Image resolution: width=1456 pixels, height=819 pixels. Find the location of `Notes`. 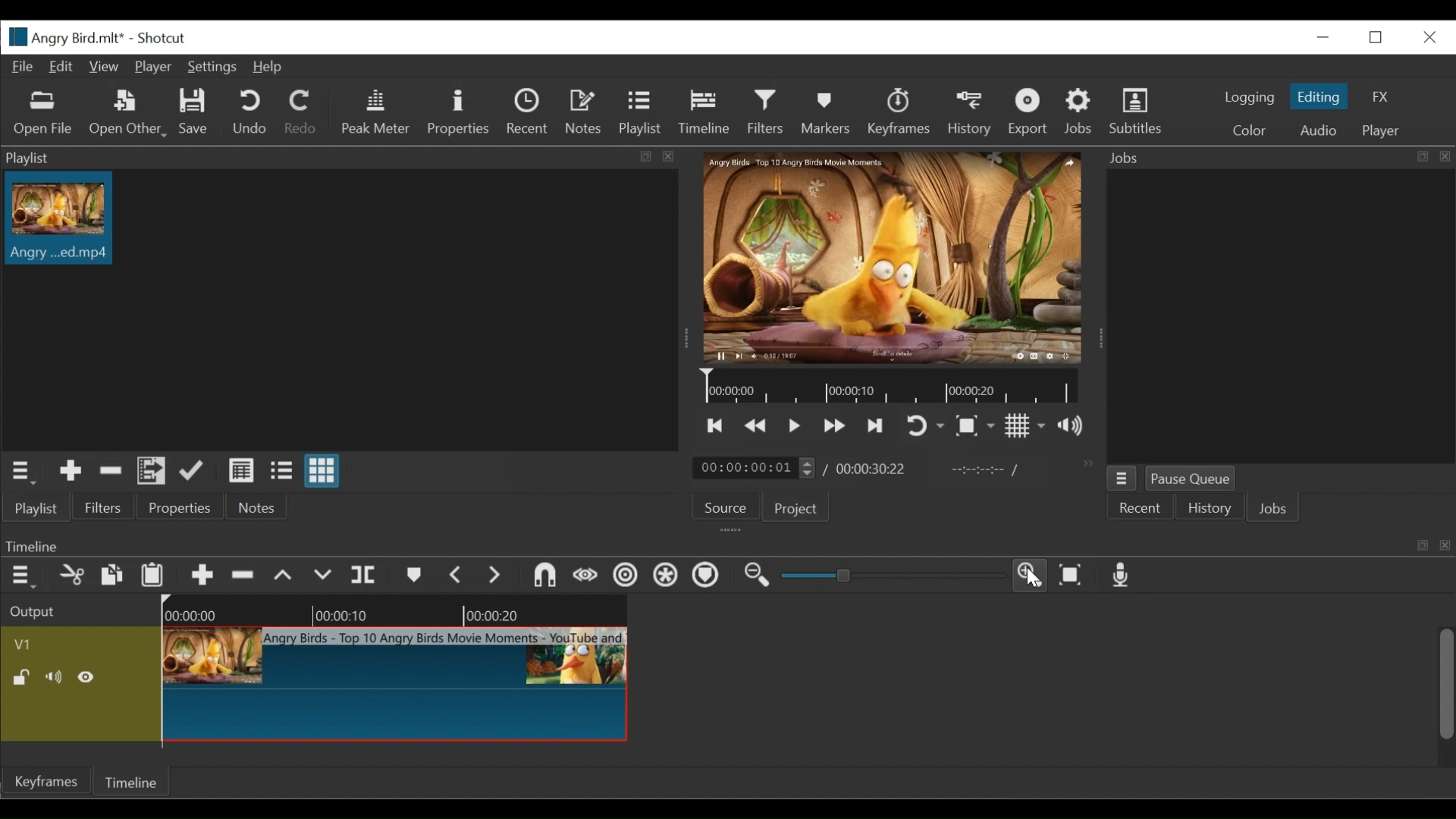

Notes is located at coordinates (582, 113).